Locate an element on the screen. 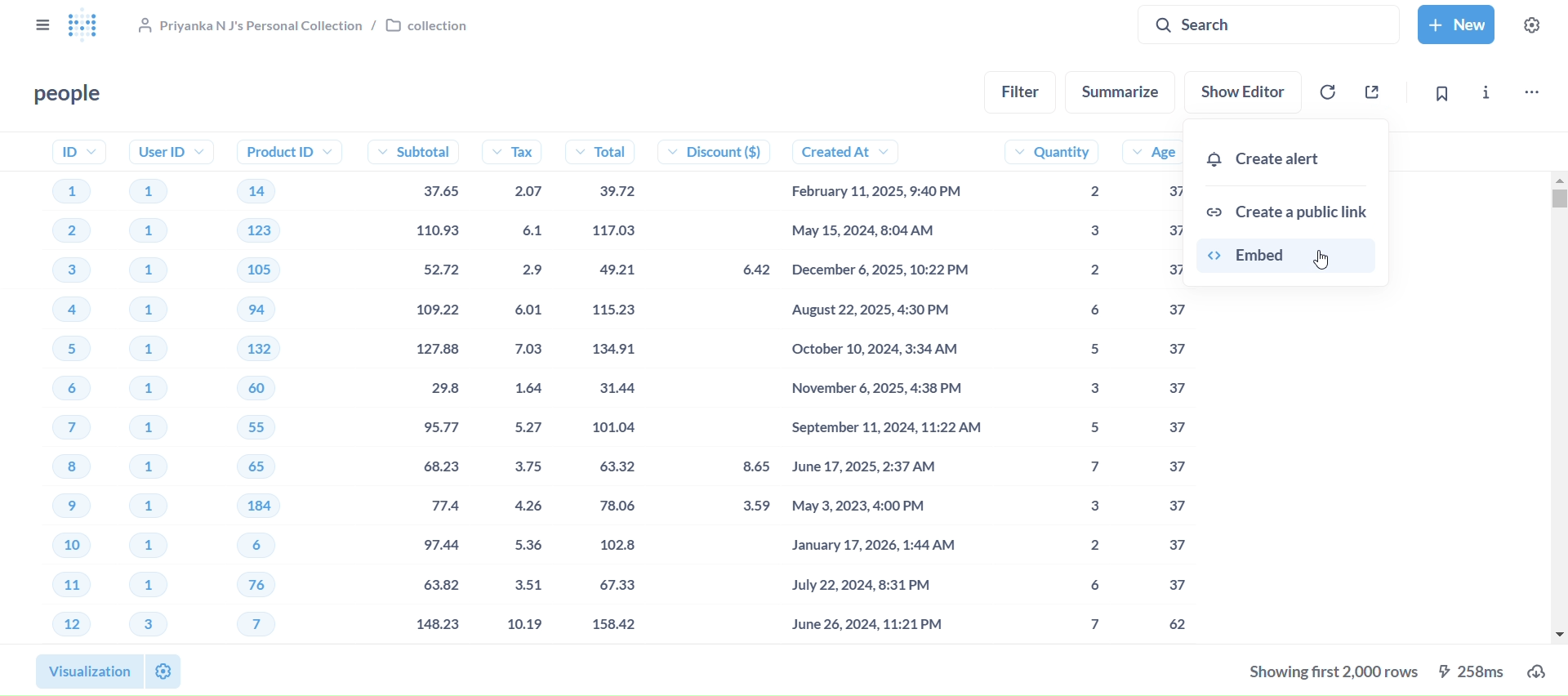 The width and height of the screenshot is (1568, 696). settings is located at coordinates (164, 671).